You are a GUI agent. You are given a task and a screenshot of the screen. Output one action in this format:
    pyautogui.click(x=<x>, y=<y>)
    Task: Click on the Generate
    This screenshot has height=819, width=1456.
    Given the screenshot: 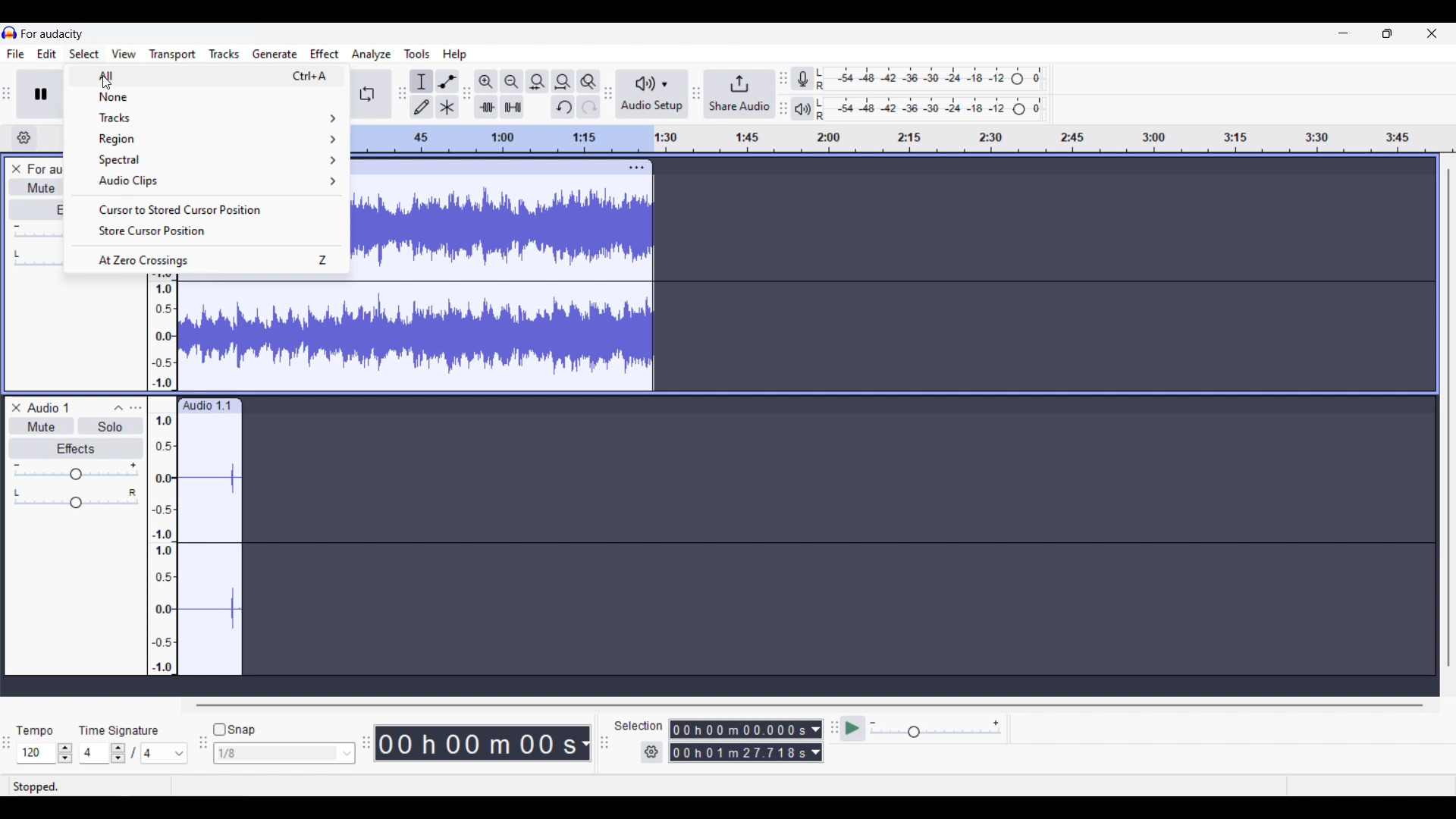 What is the action you would take?
    pyautogui.click(x=275, y=53)
    